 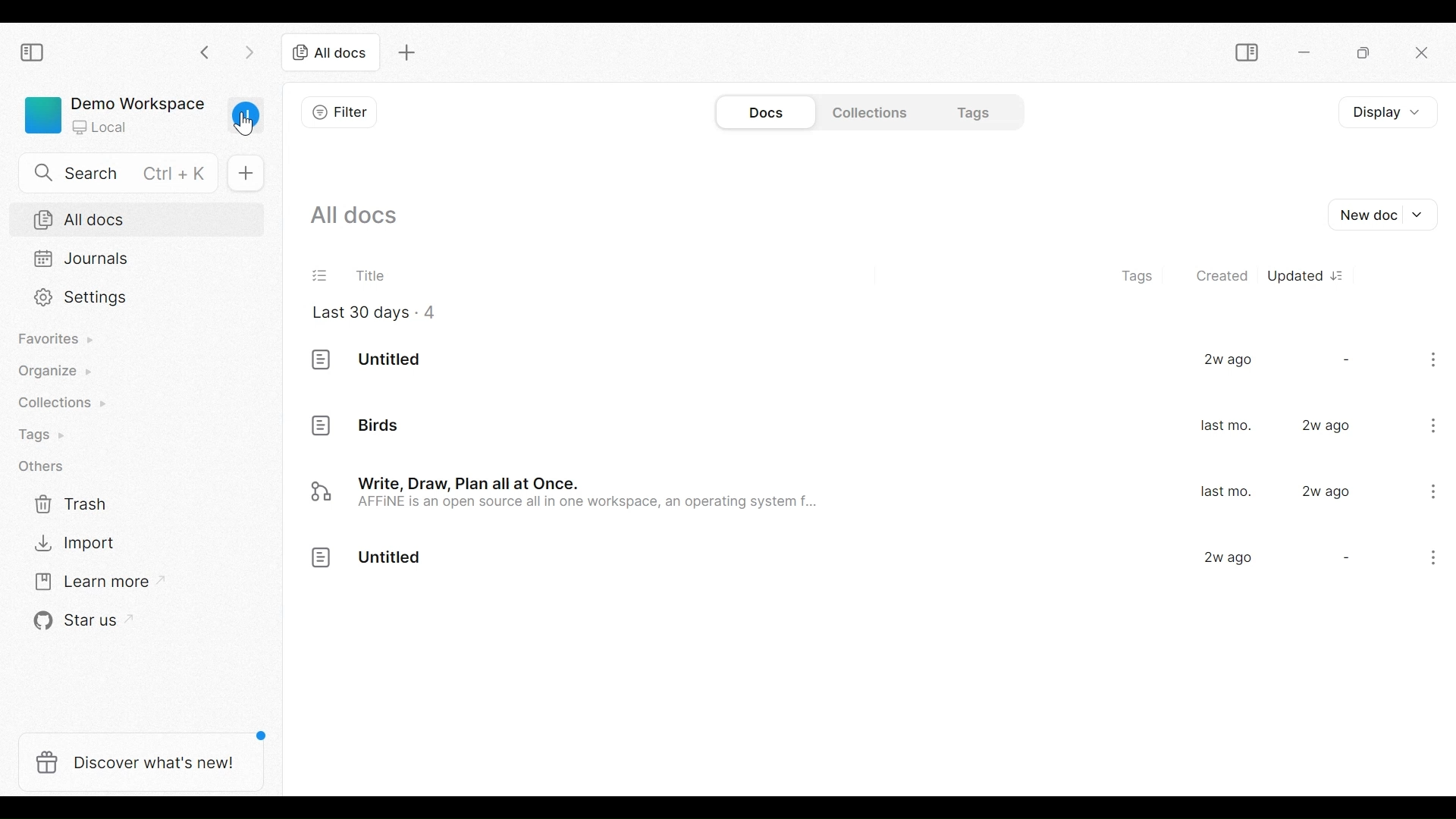 What do you see at coordinates (340, 112) in the screenshot?
I see `Filter` at bounding box center [340, 112].